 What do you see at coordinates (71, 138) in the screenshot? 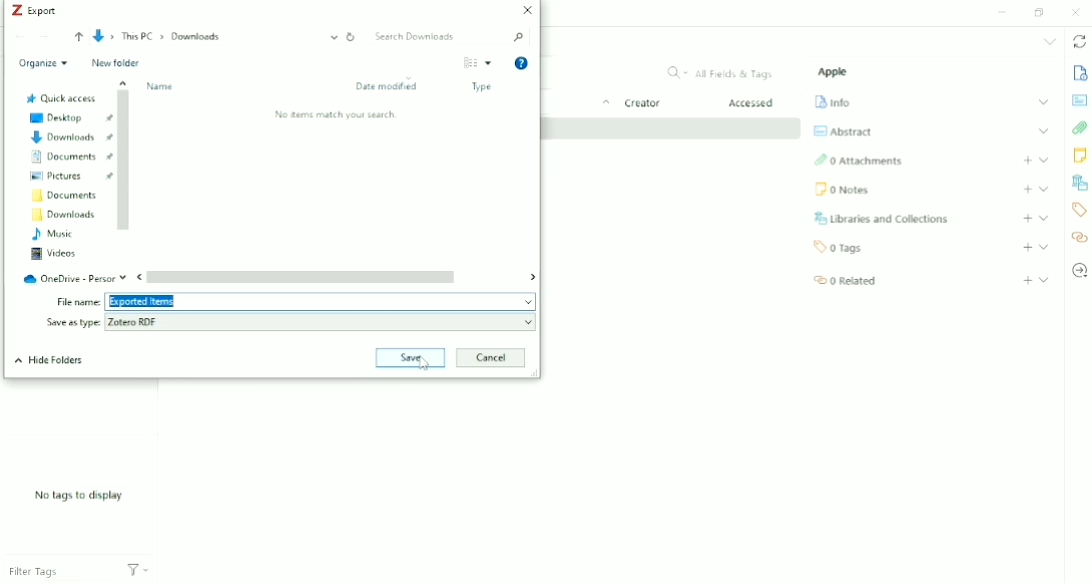
I see `Downloads` at bounding box center [71, 138].